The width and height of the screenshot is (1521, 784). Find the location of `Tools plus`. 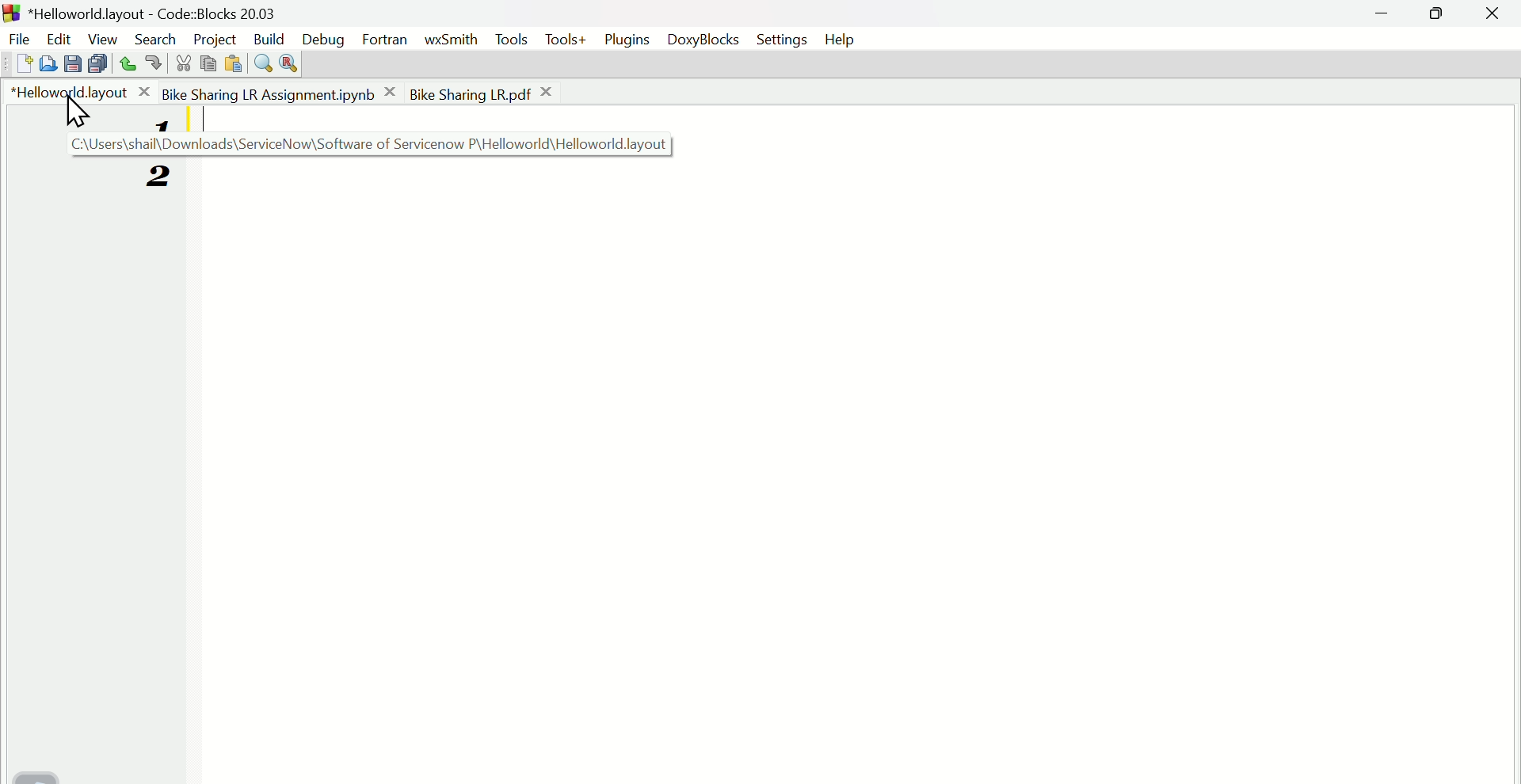

Tools plus is located at coordinates (568, 41).